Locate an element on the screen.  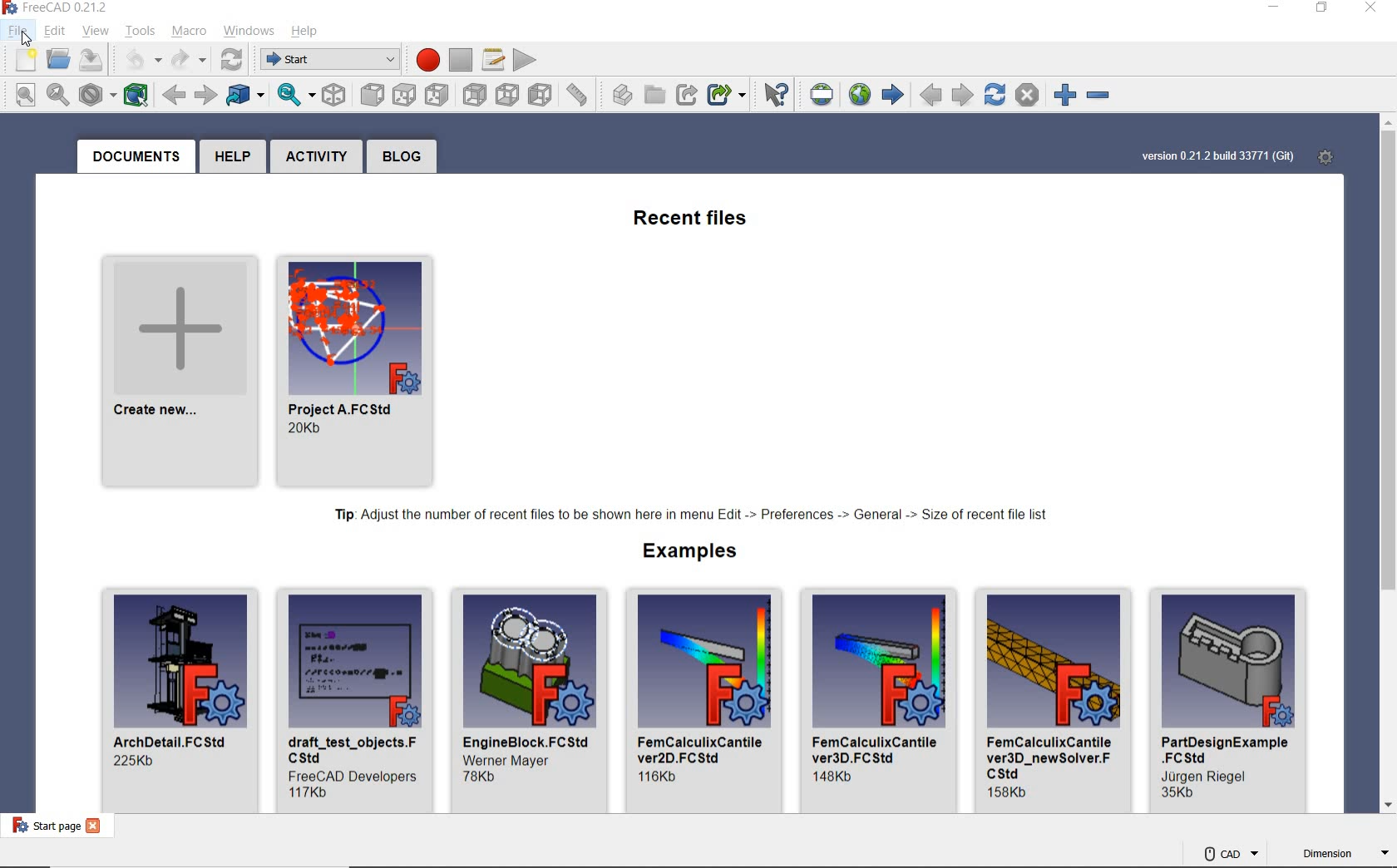
DOCUMENTS is located at coordinates (135, 156).